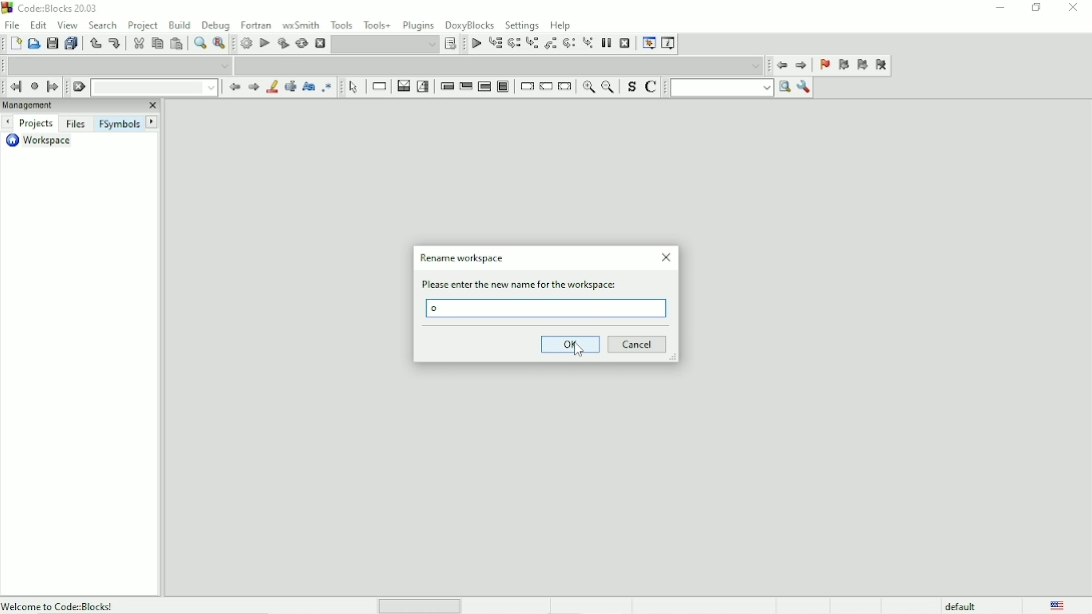 The width and height of the screenshot is (1092, 614). I want to click on Tools, so click(342, 24).